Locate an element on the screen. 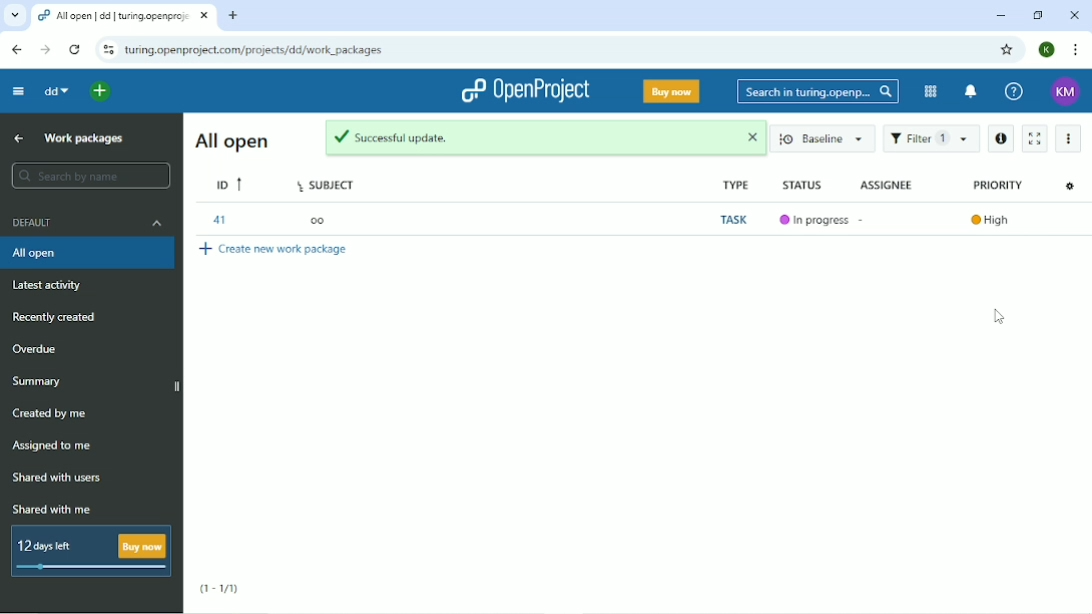  Shared with users is located at coordinates (59, 476).